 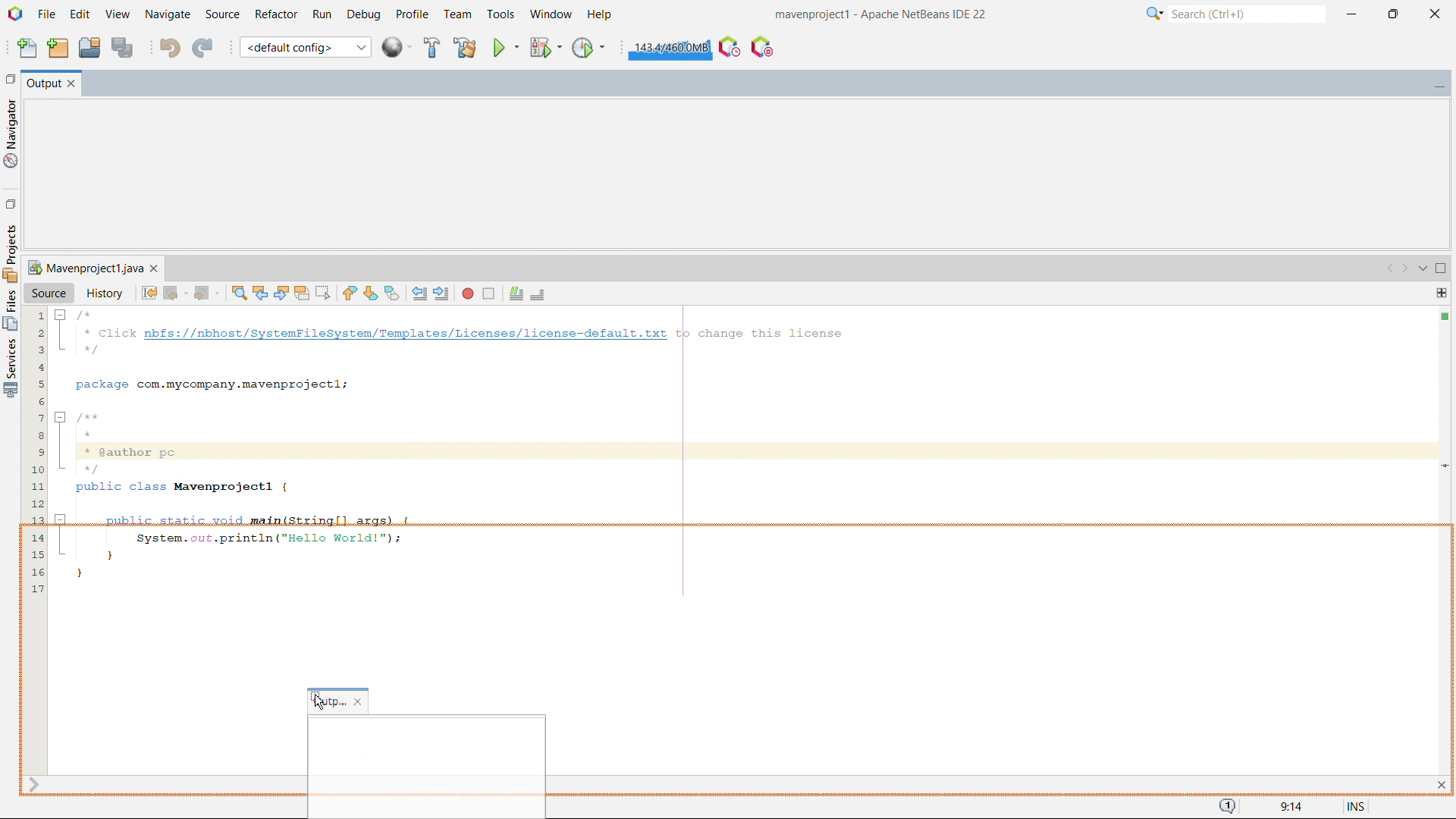 I want to click on find selection, so click(x=240, y=293).